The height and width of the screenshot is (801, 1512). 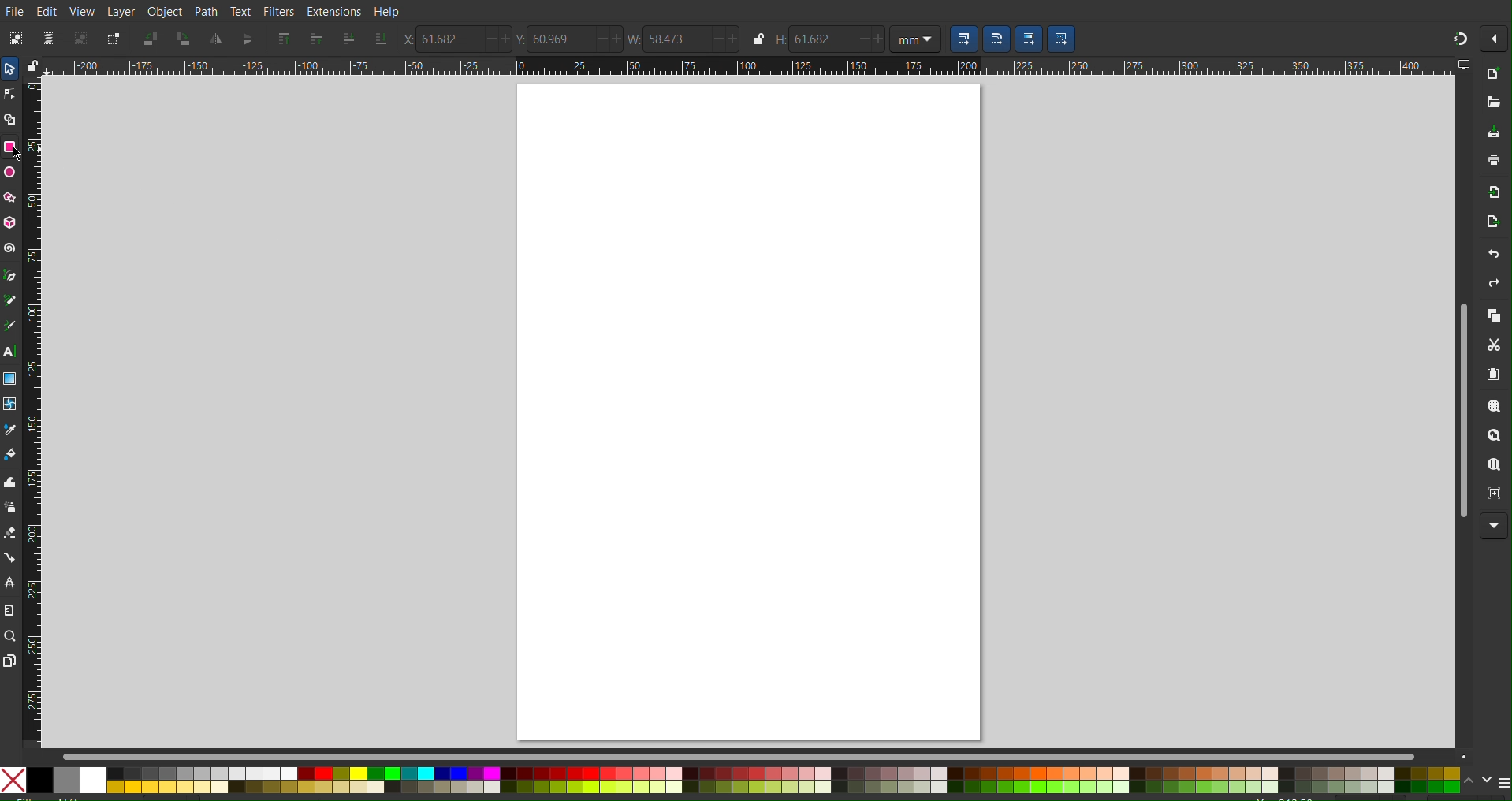 I want to click on computer icon, so click(x=1464, y=65).